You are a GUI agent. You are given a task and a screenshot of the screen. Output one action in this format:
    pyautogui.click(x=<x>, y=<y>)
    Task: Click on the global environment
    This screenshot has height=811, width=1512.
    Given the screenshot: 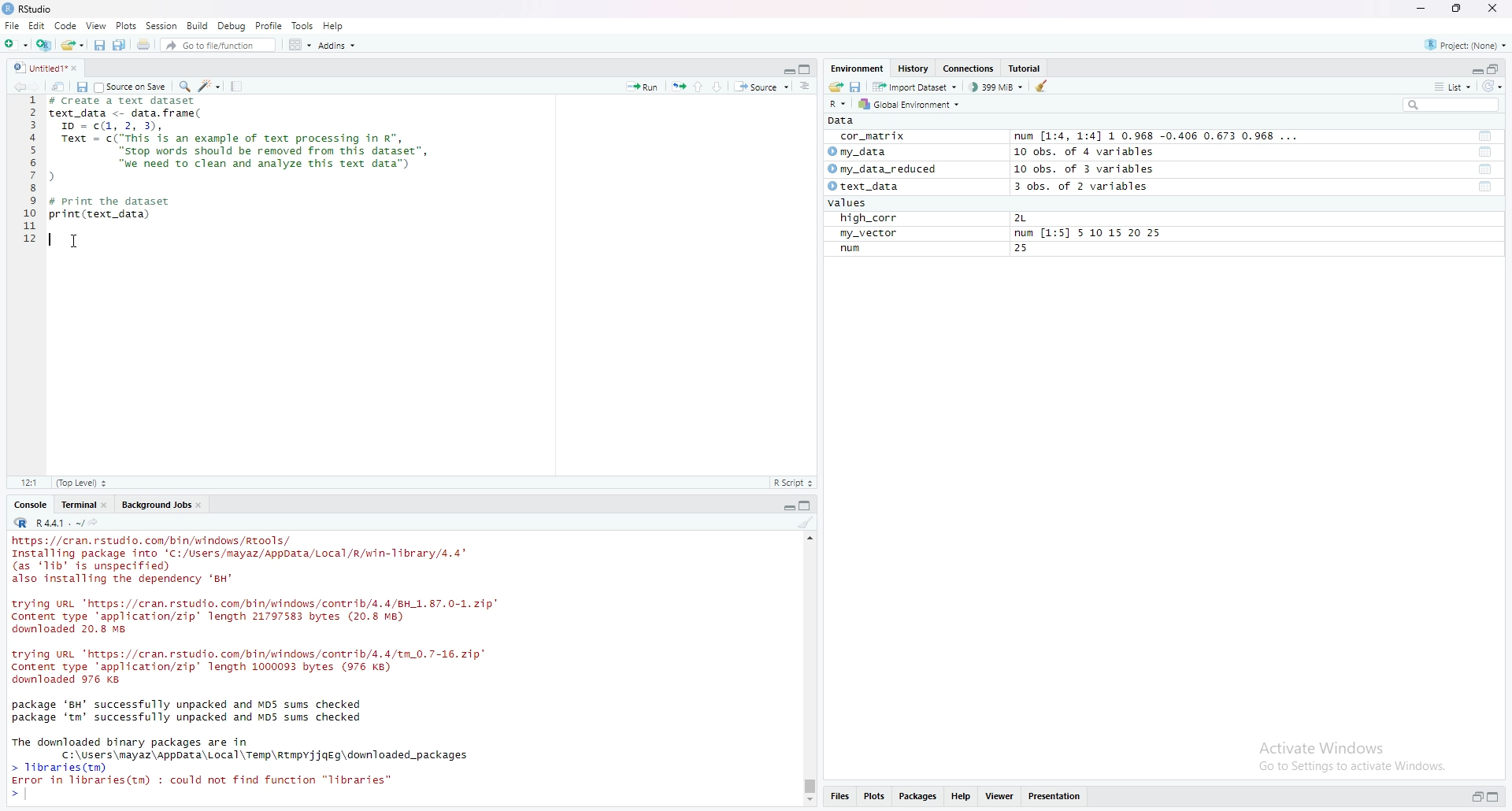 What is the action you would take?
    pyautogui.click(x=916, y=106)
    